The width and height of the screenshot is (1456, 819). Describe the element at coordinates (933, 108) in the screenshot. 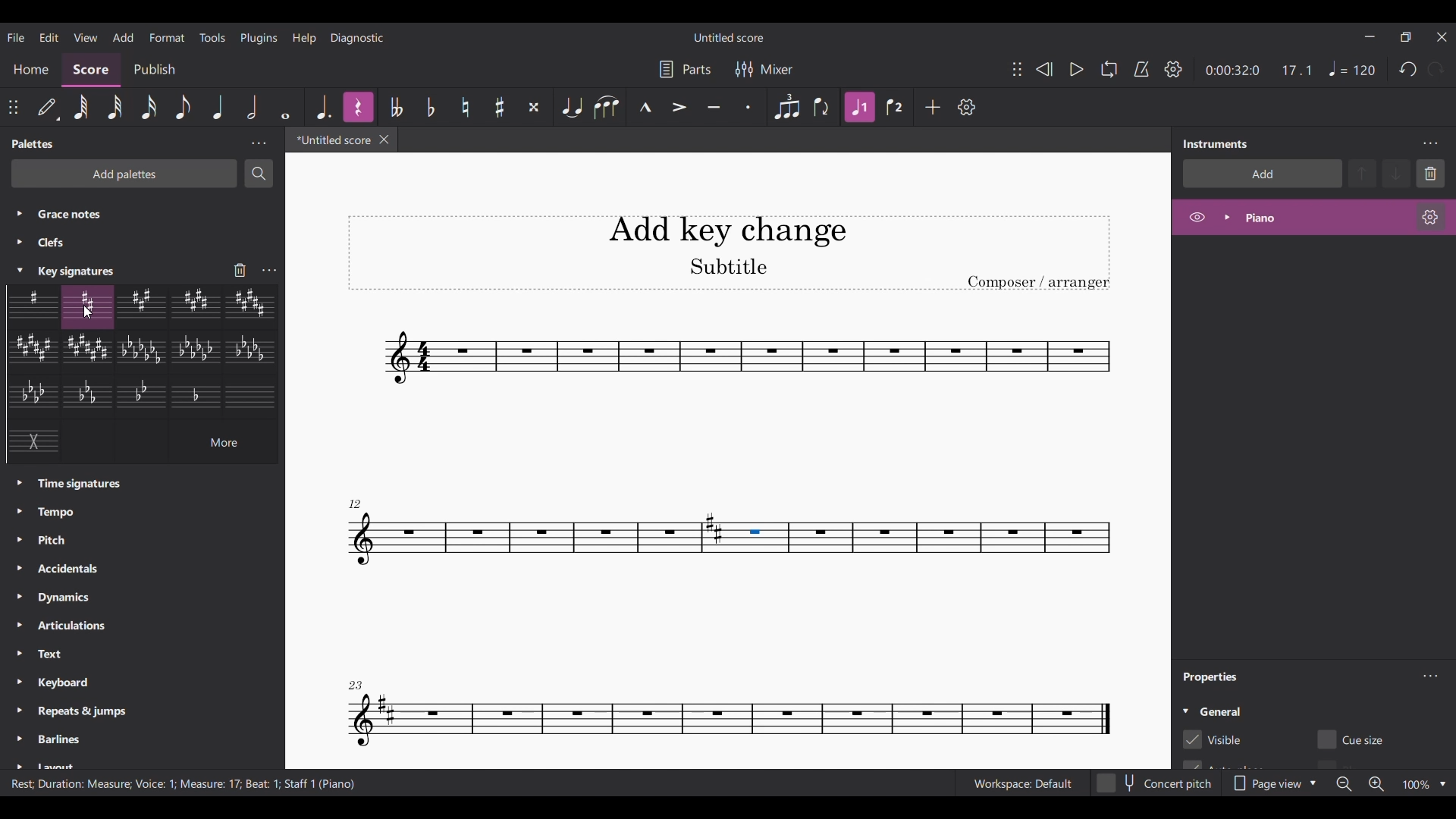

I see `Add tool` at that location.